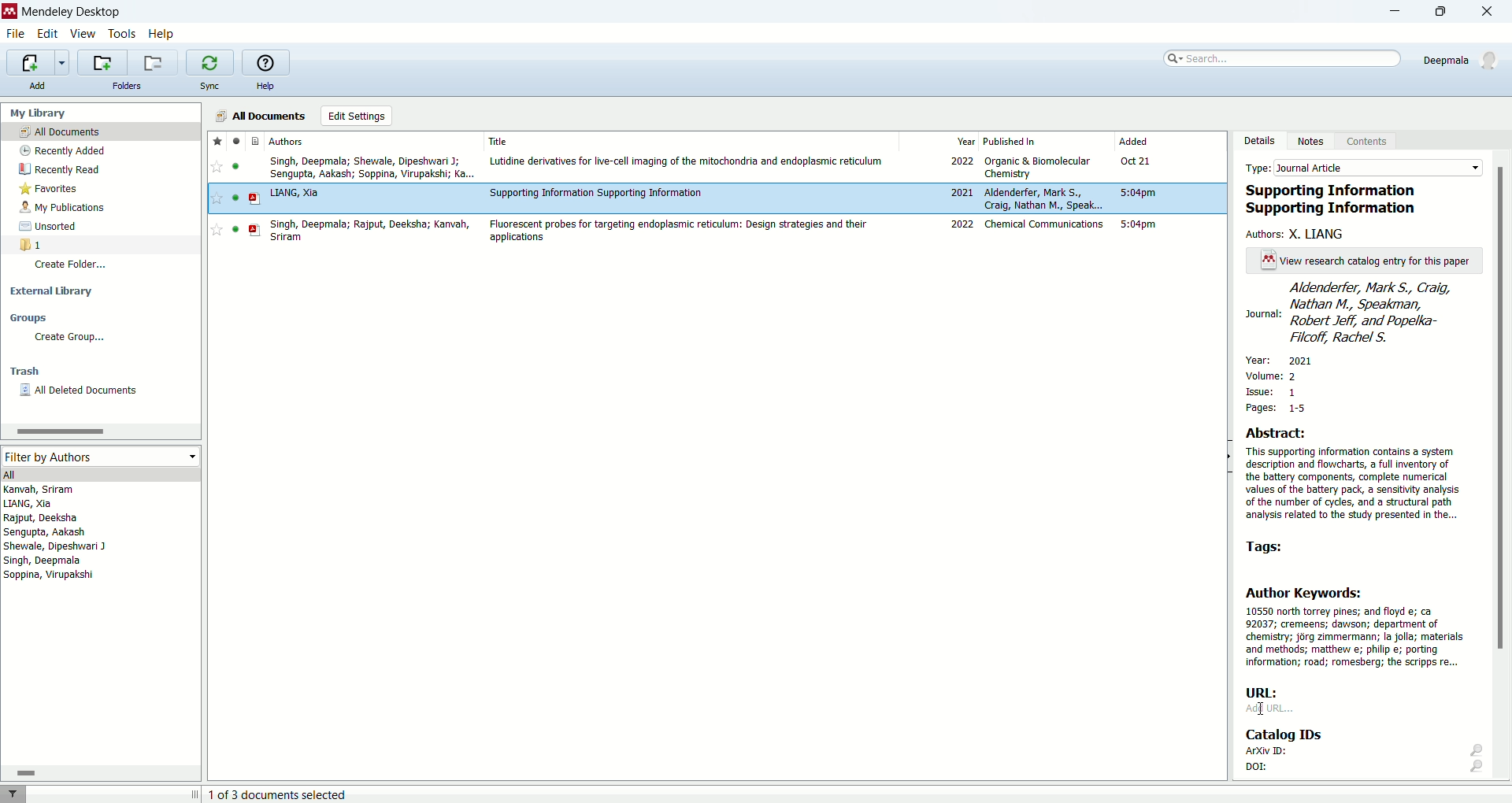 The image size is (1512, 803). What do you see at coordinates (64, 207) in the screenshot?
I see `my publication` at bounding box center [64, 207].